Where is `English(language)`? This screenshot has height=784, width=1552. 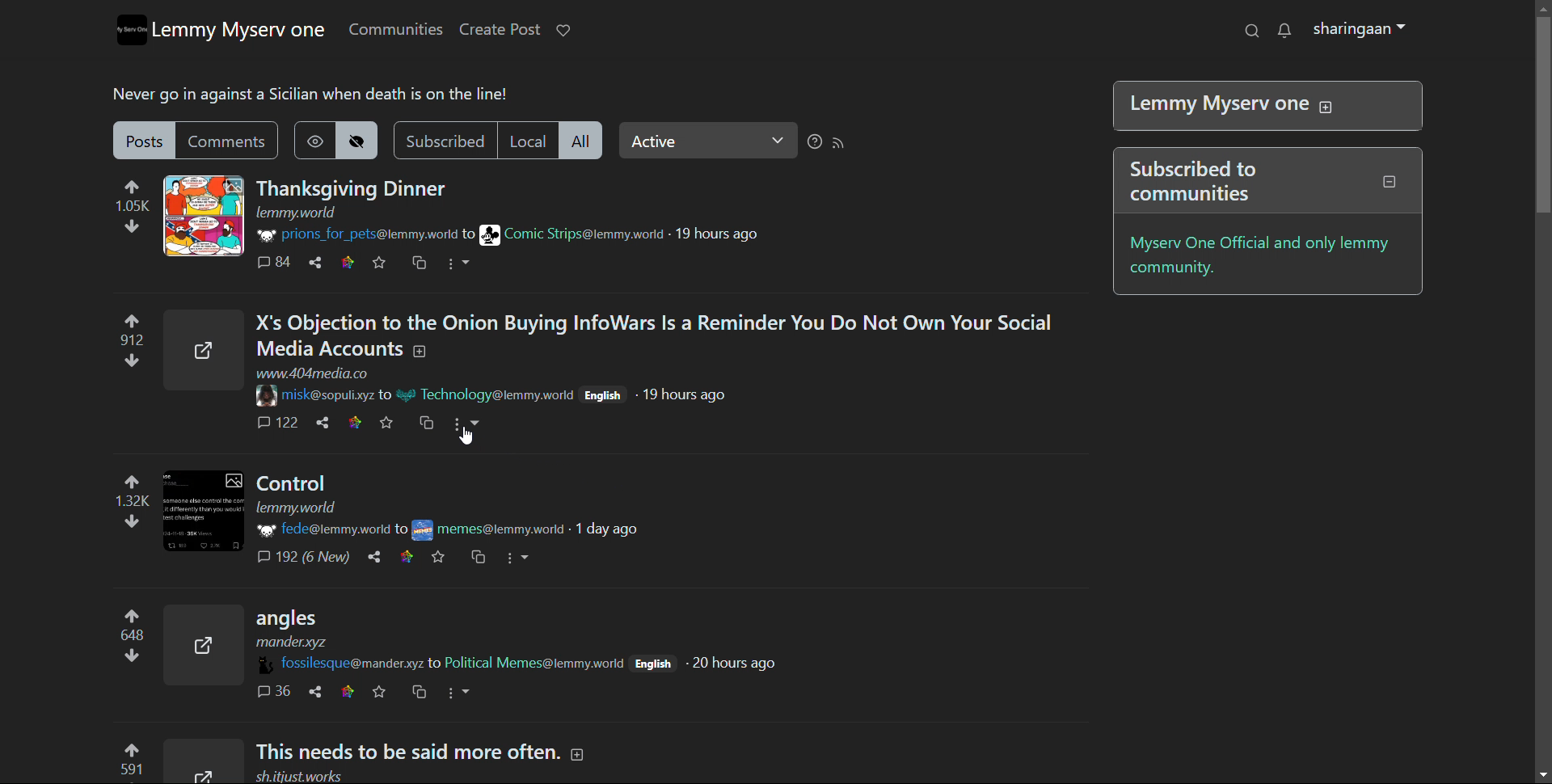 English(language) is located at coordinates (603, 395).